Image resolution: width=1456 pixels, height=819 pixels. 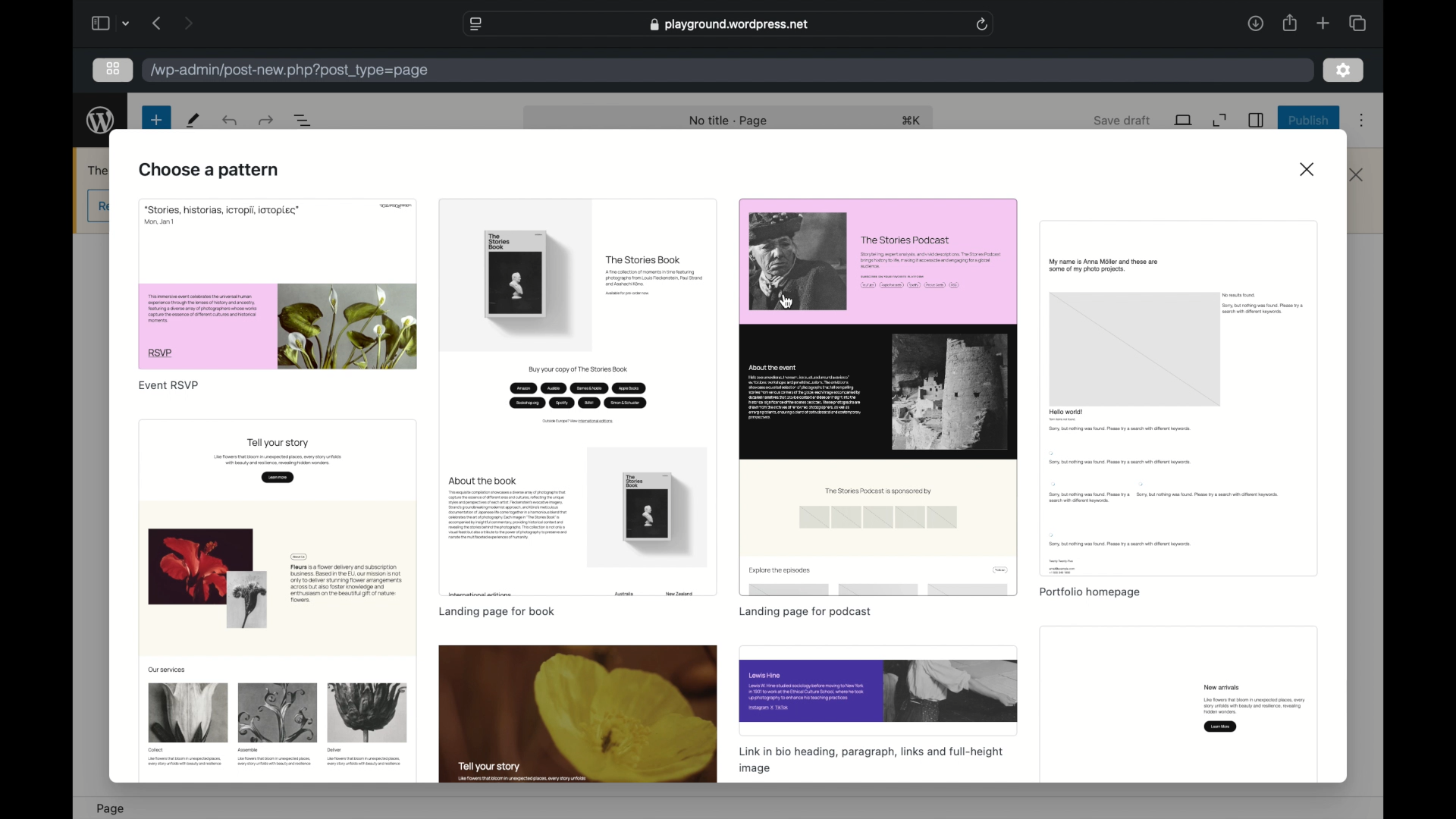 I want to click on obscure button, so click(x=97, y=206).